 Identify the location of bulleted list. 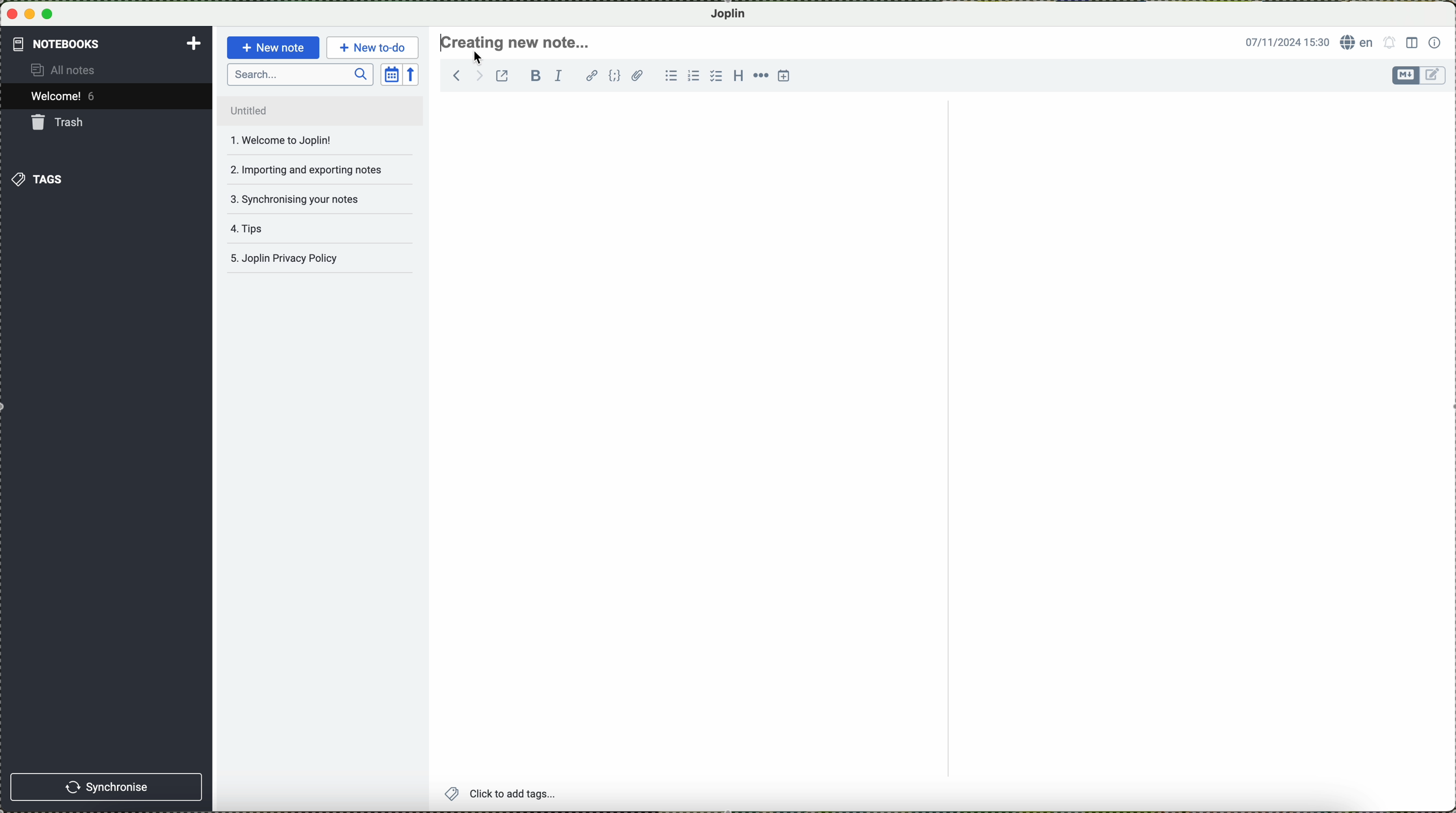
(670, 76).